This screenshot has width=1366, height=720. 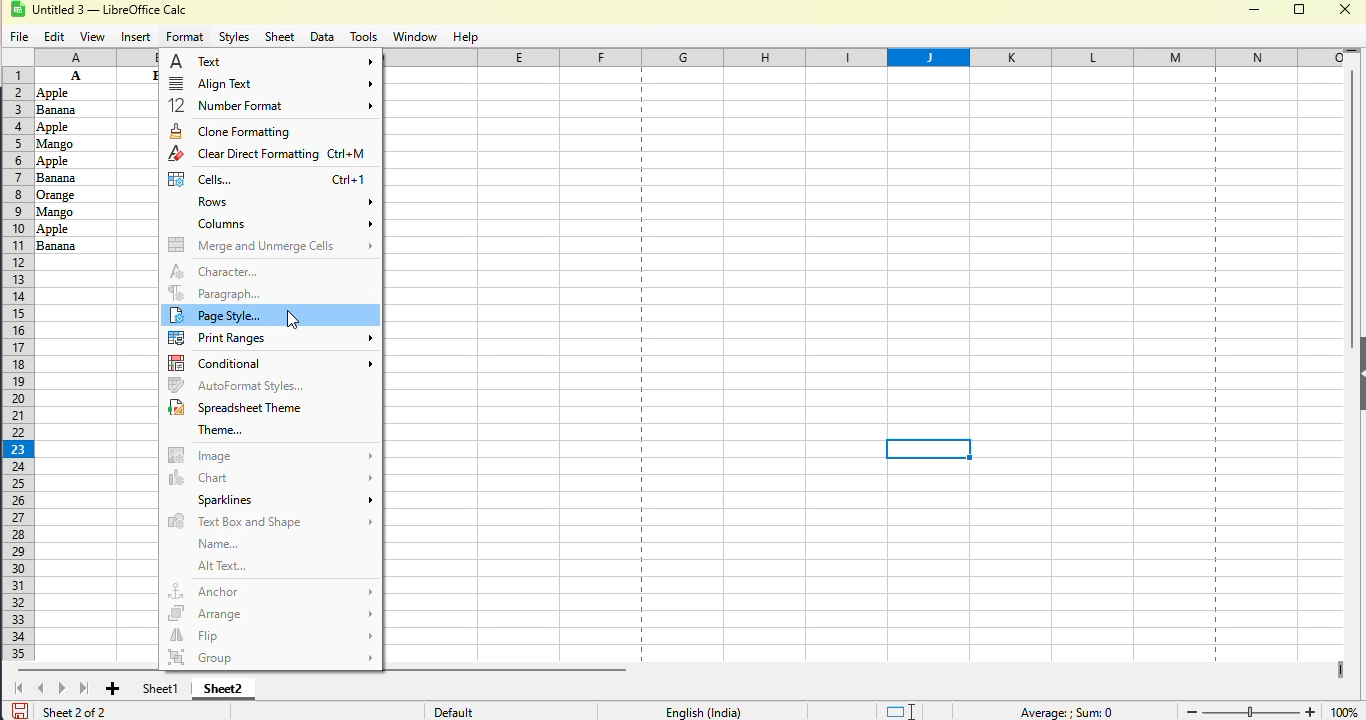 What do you see at coordinates (453, 712) in the screenshot?
I see `default` at bounding box center [453, 712].